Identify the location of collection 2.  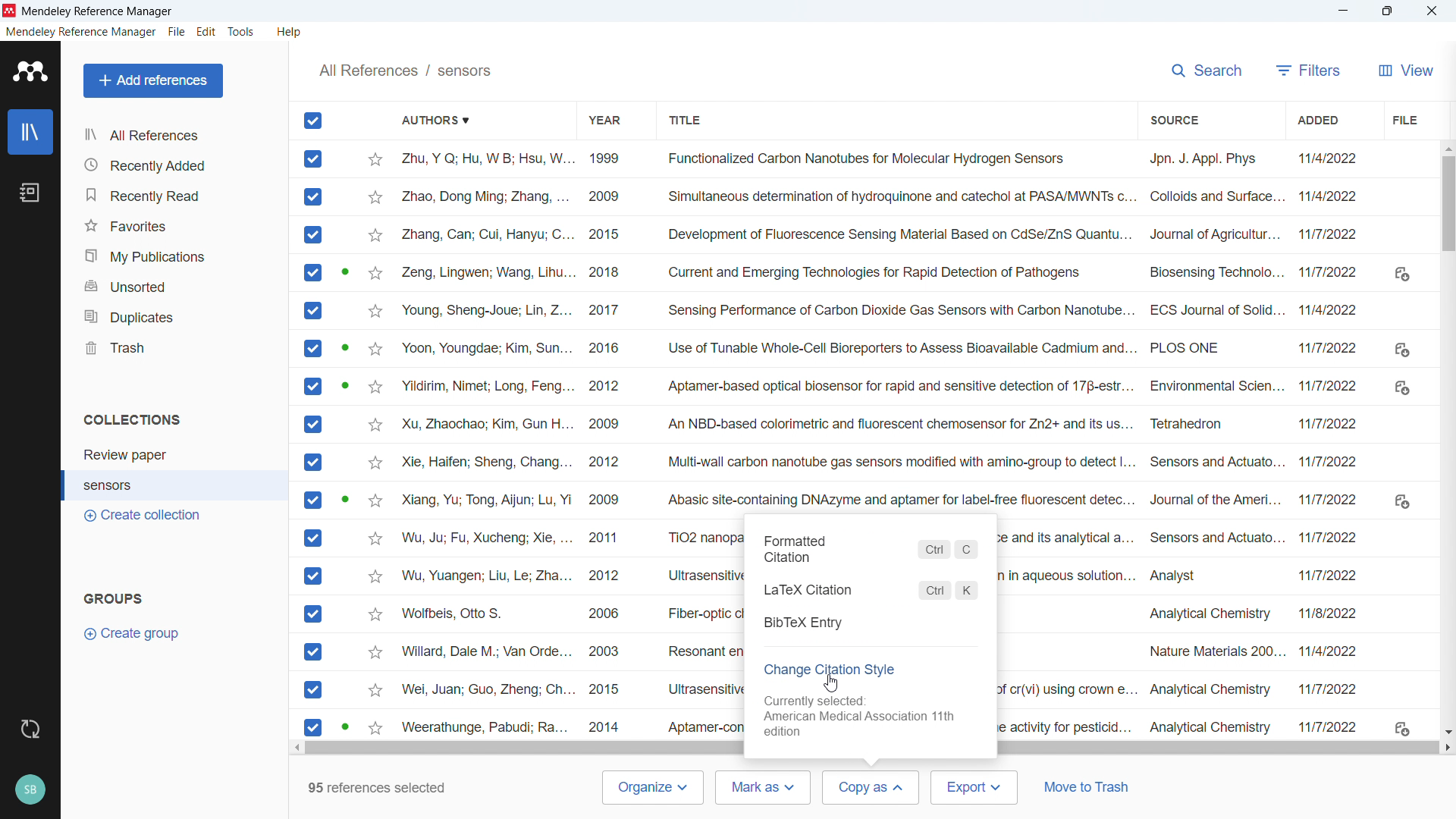
(175, 485).